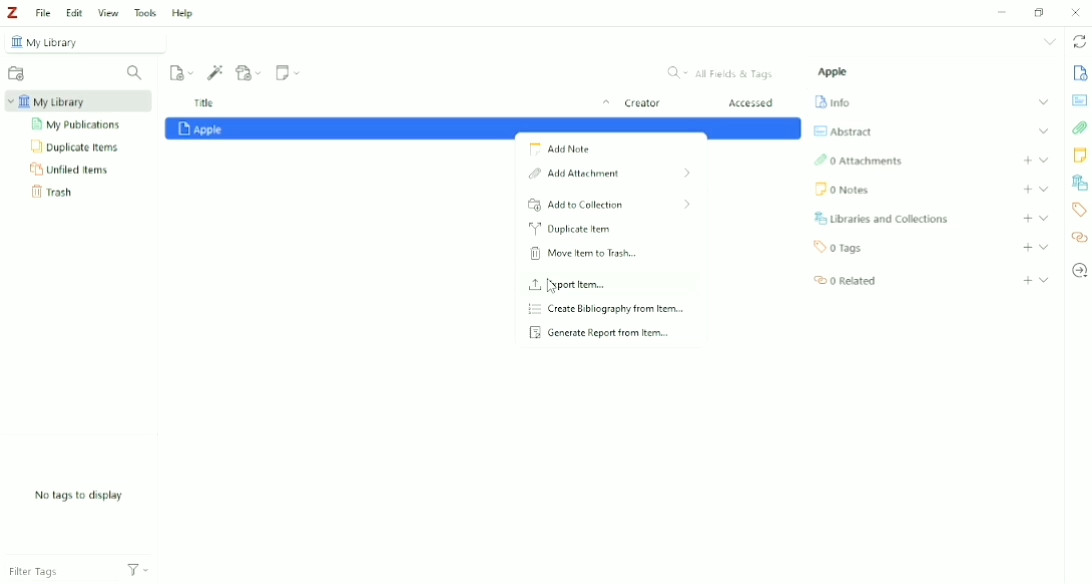 Image resolution: width=1092 pixels, height=584 pixels. I want to click on View, so click(109, 12).